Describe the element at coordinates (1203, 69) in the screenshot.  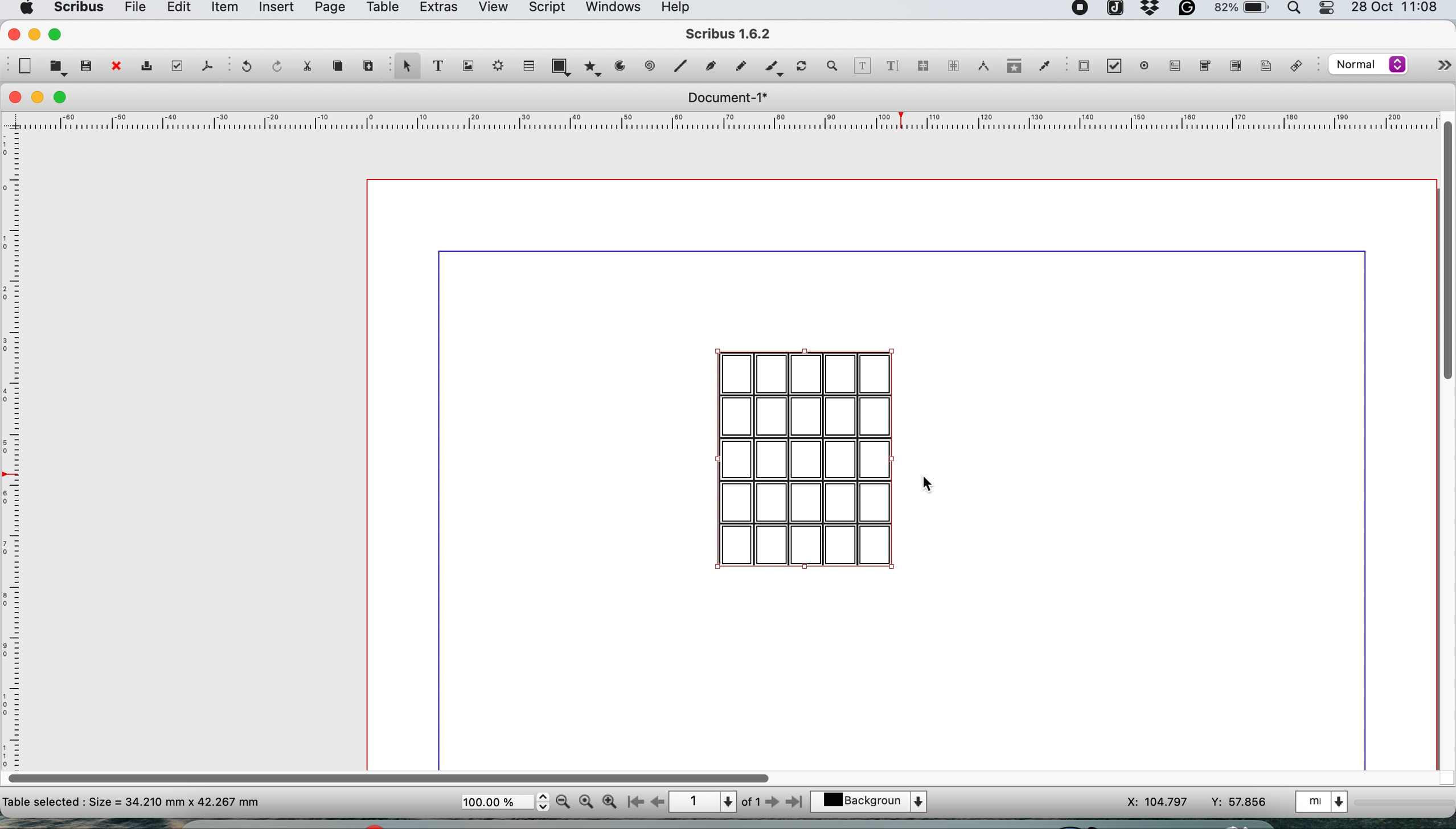
I see `pdf combo box` at that location.